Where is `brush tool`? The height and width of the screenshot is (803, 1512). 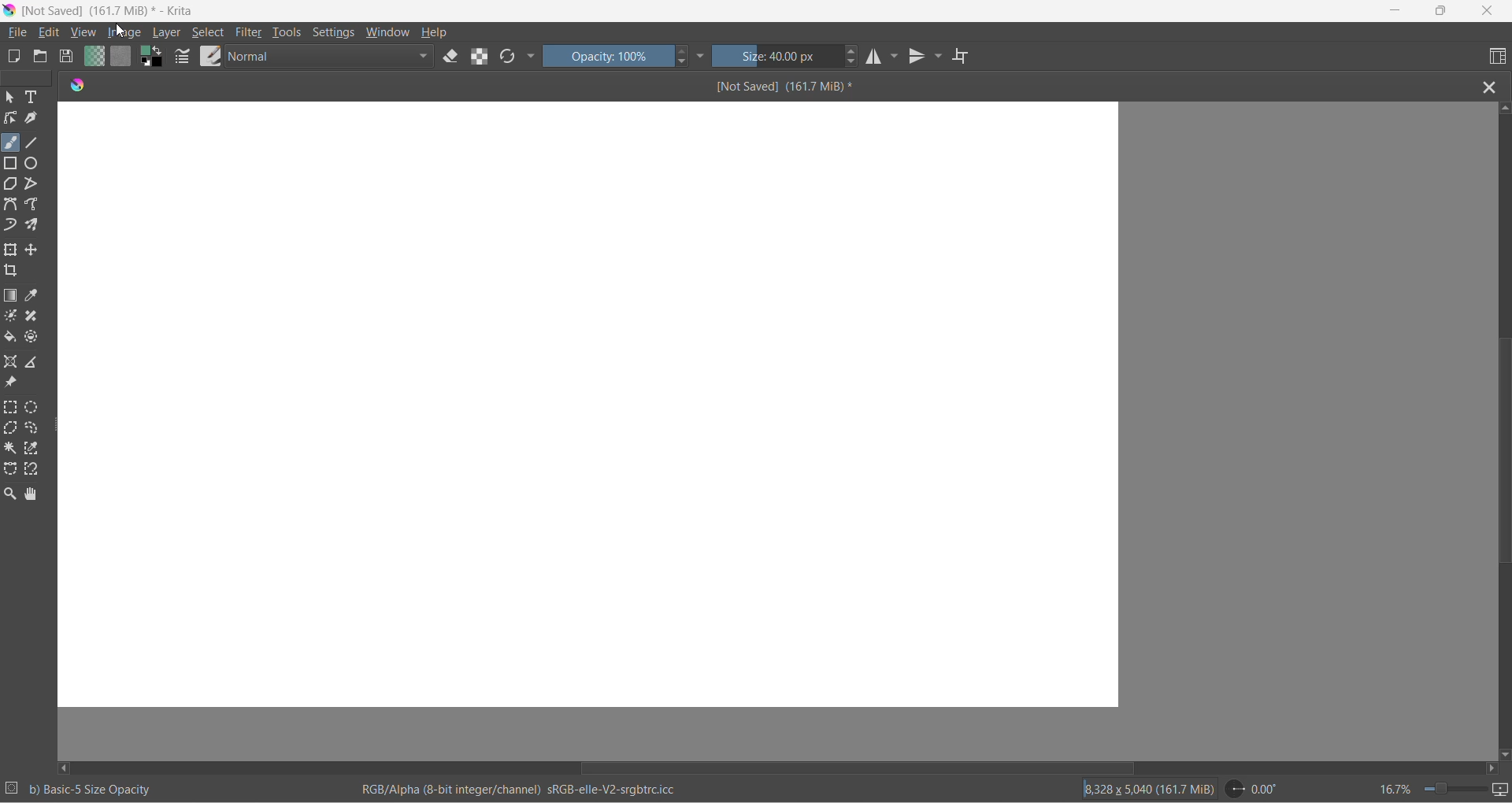
brush tool is located at coordinates (12, 142).